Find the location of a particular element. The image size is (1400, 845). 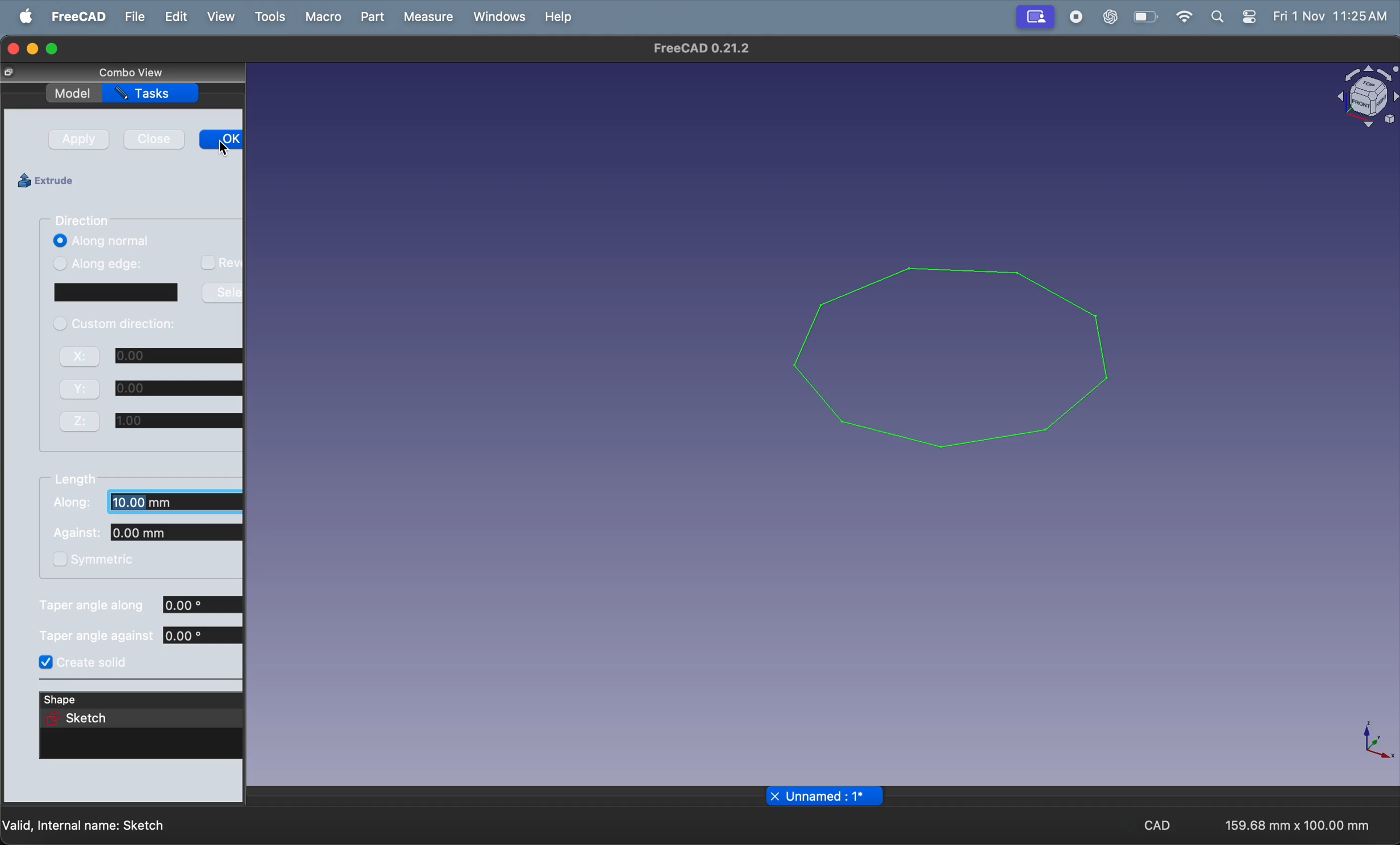

chatgpt is located at coordinates (1107, 17).